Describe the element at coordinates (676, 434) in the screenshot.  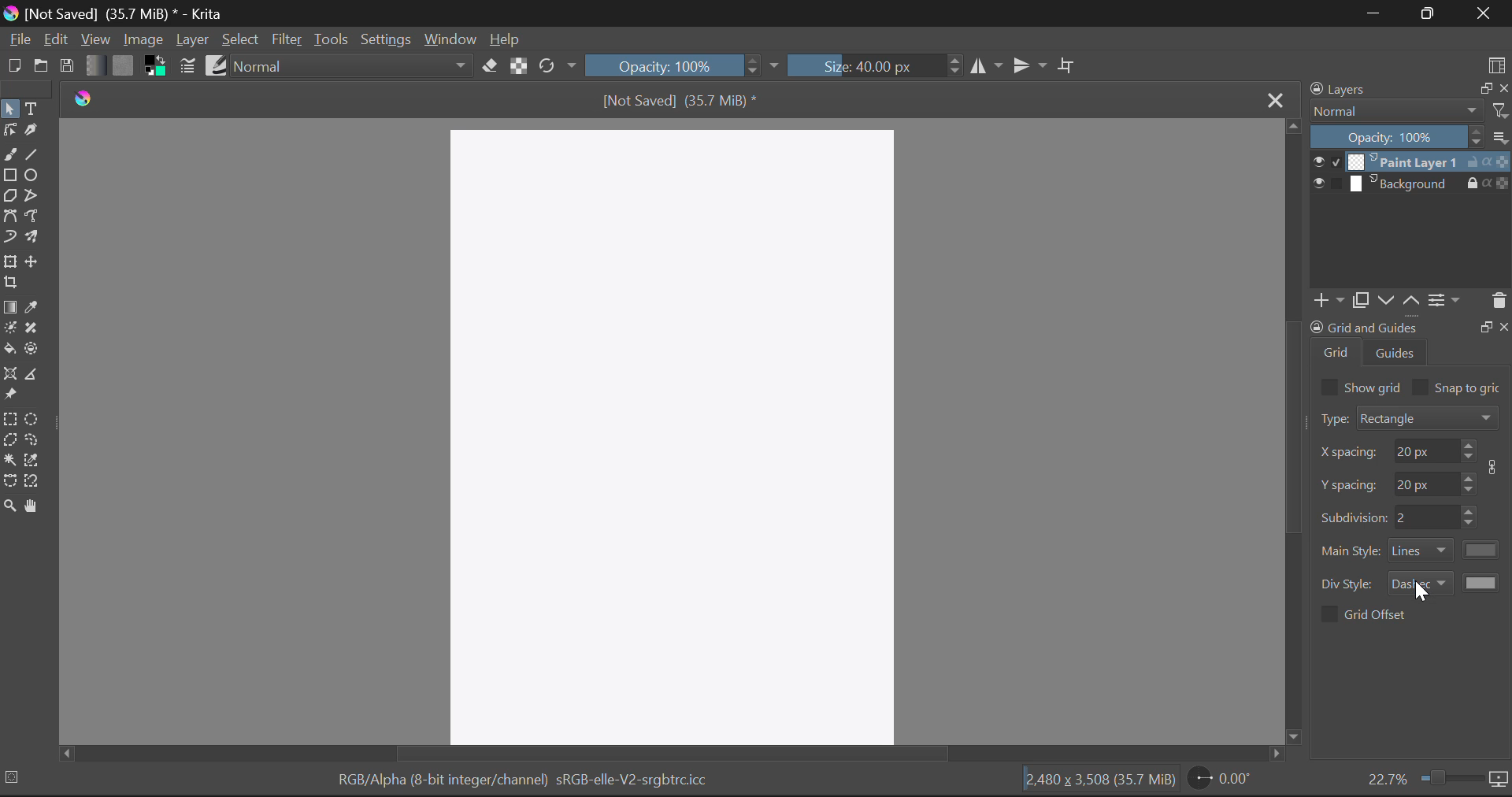
I see `Document Workspace` at that location.